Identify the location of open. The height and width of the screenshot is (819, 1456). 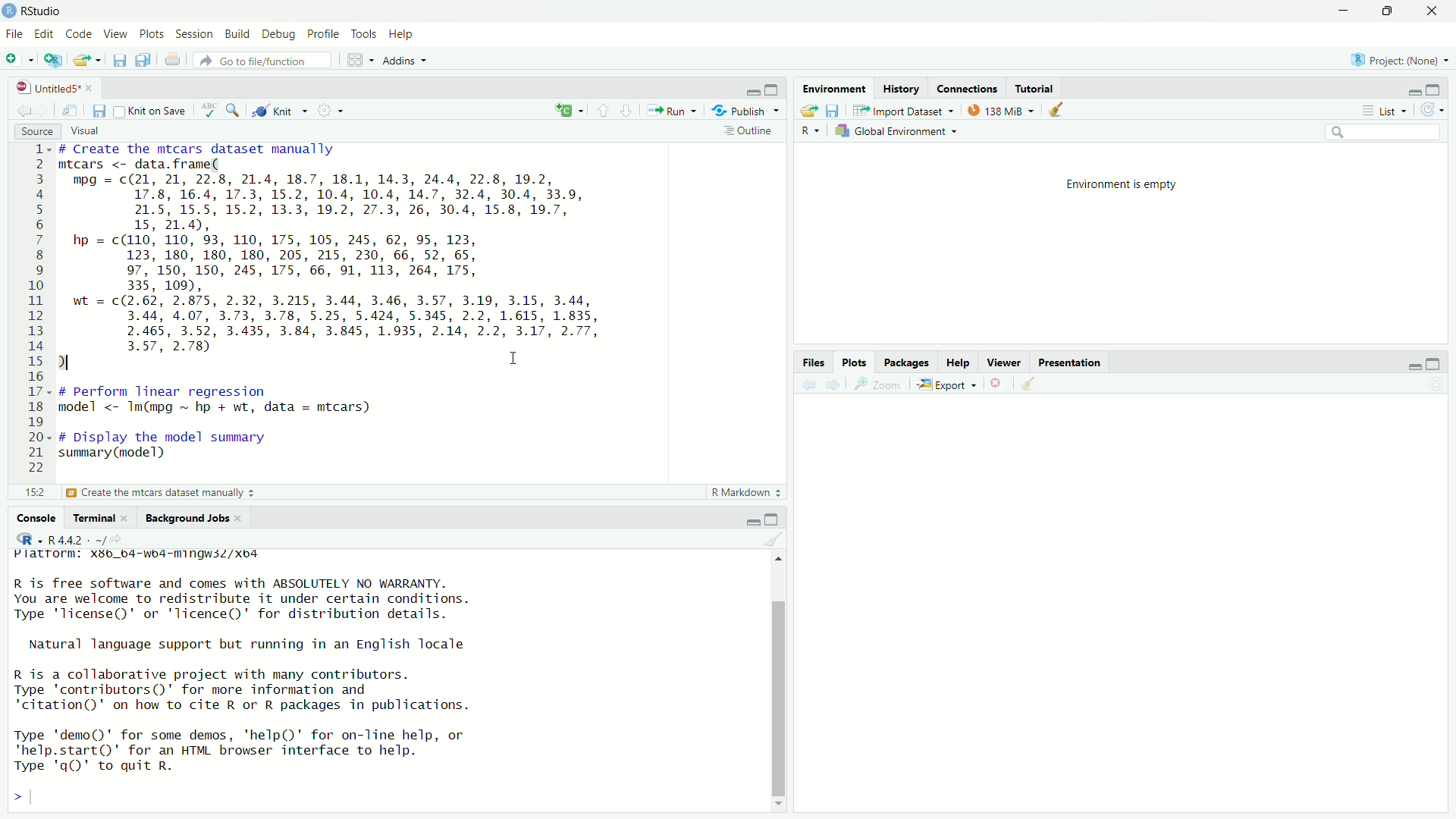
(808, 111).